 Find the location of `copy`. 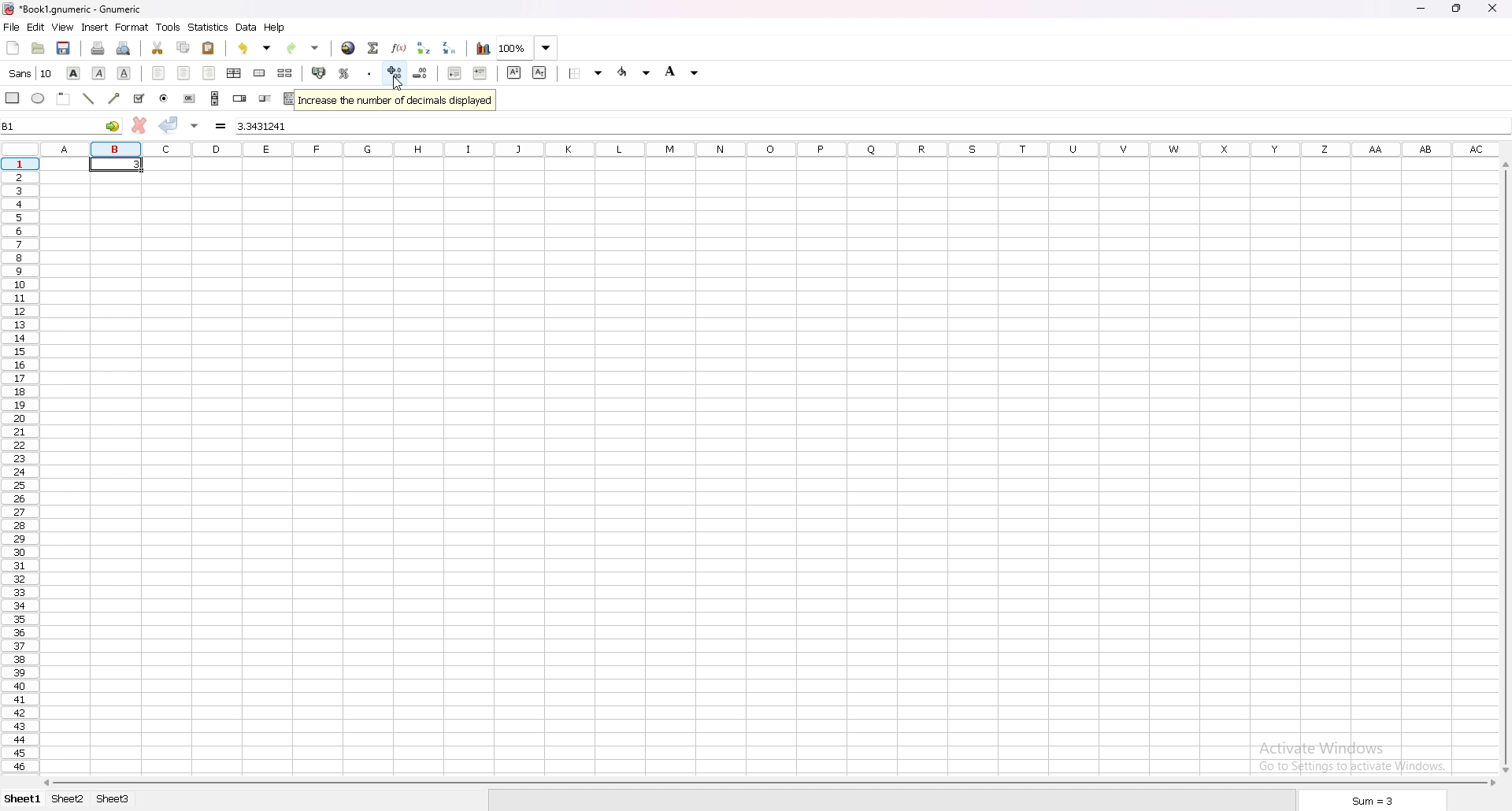

copy is located at coordinates (183, 47).